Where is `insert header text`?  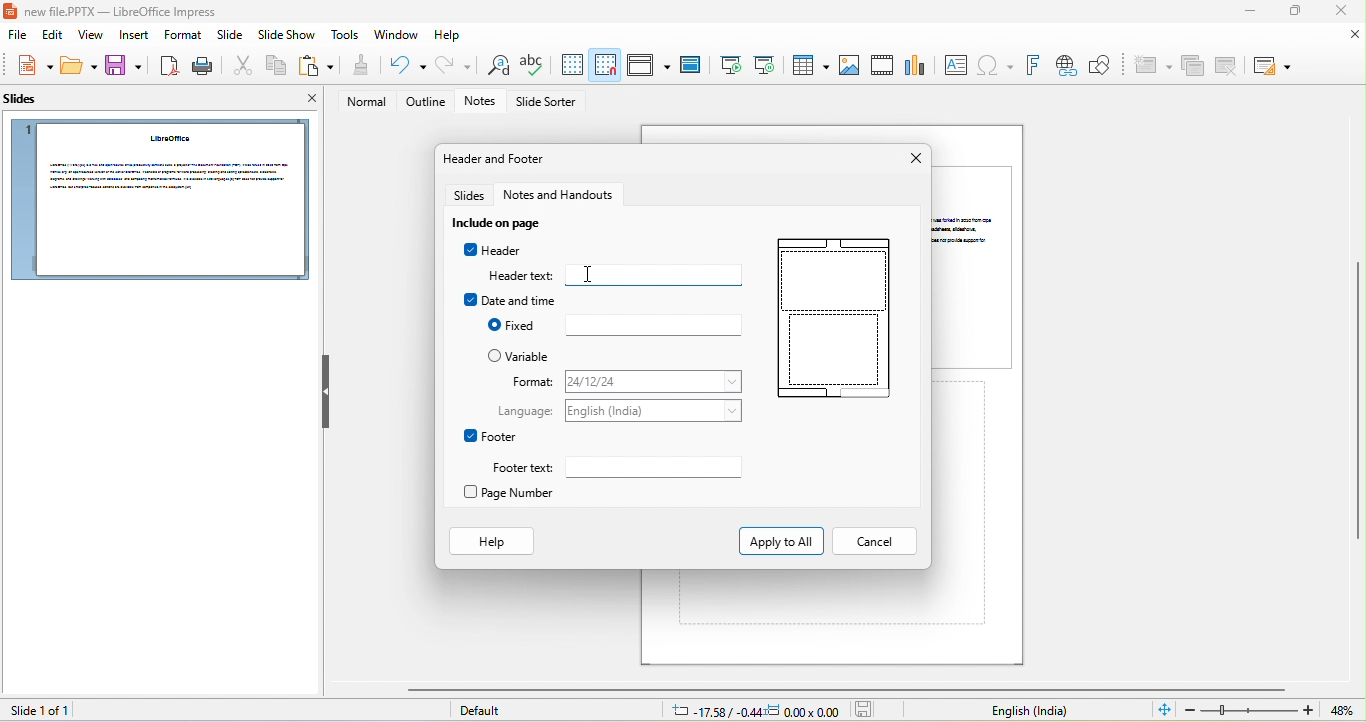
insert header text is located at coordinates (656, 273).